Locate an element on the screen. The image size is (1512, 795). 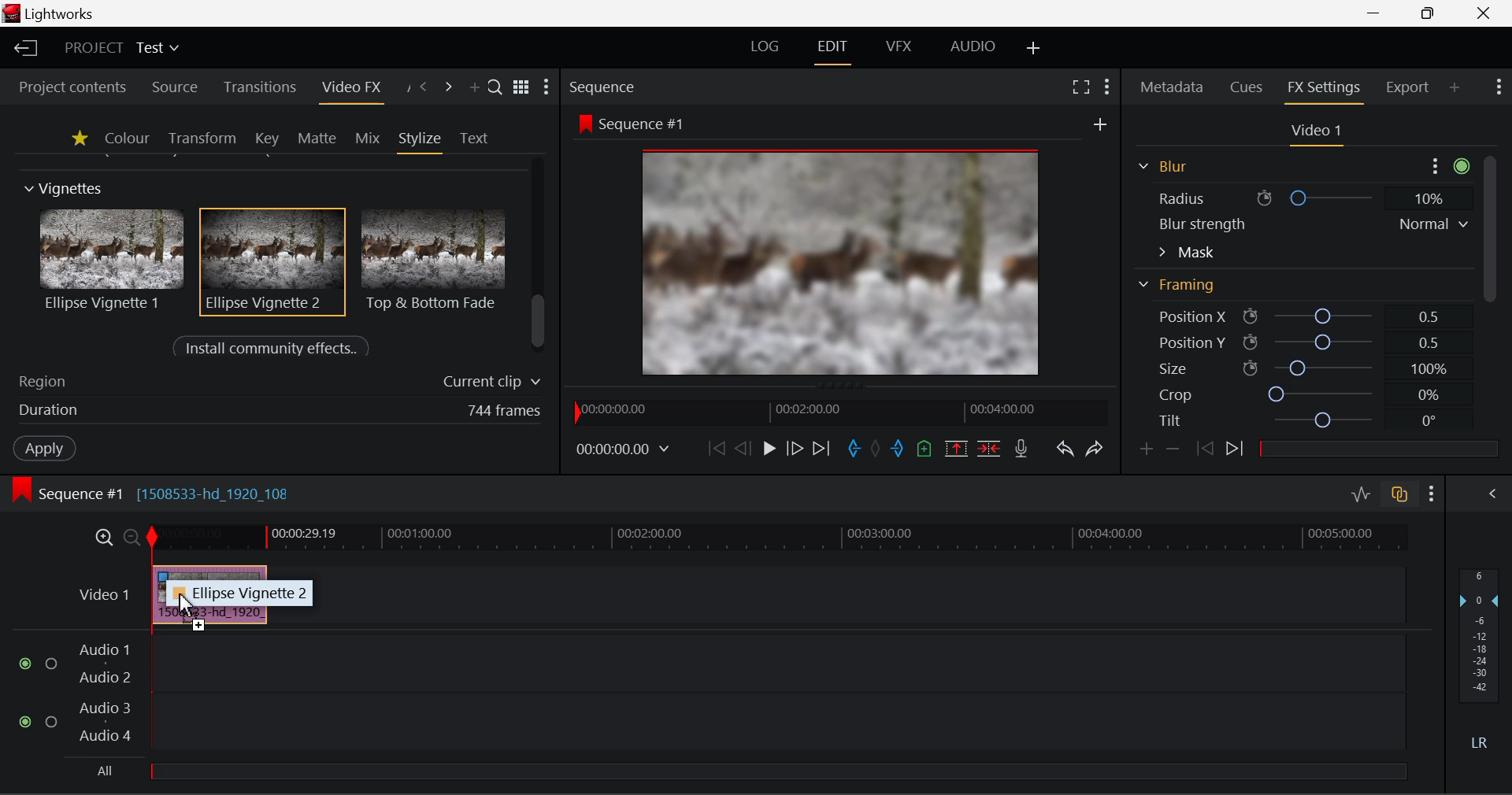
Video FX Panel Open is located at coordinates (355, 89).